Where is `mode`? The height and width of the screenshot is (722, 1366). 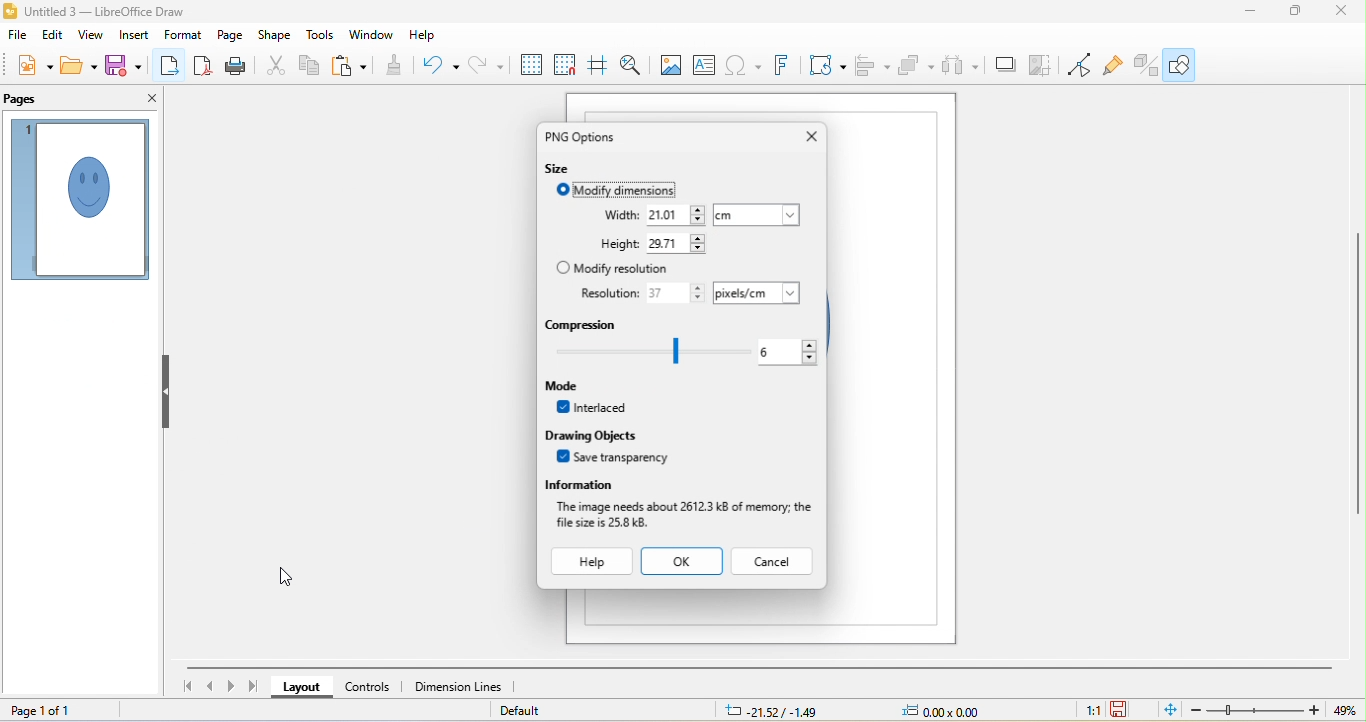 mode is located at coordinates (564, 386).